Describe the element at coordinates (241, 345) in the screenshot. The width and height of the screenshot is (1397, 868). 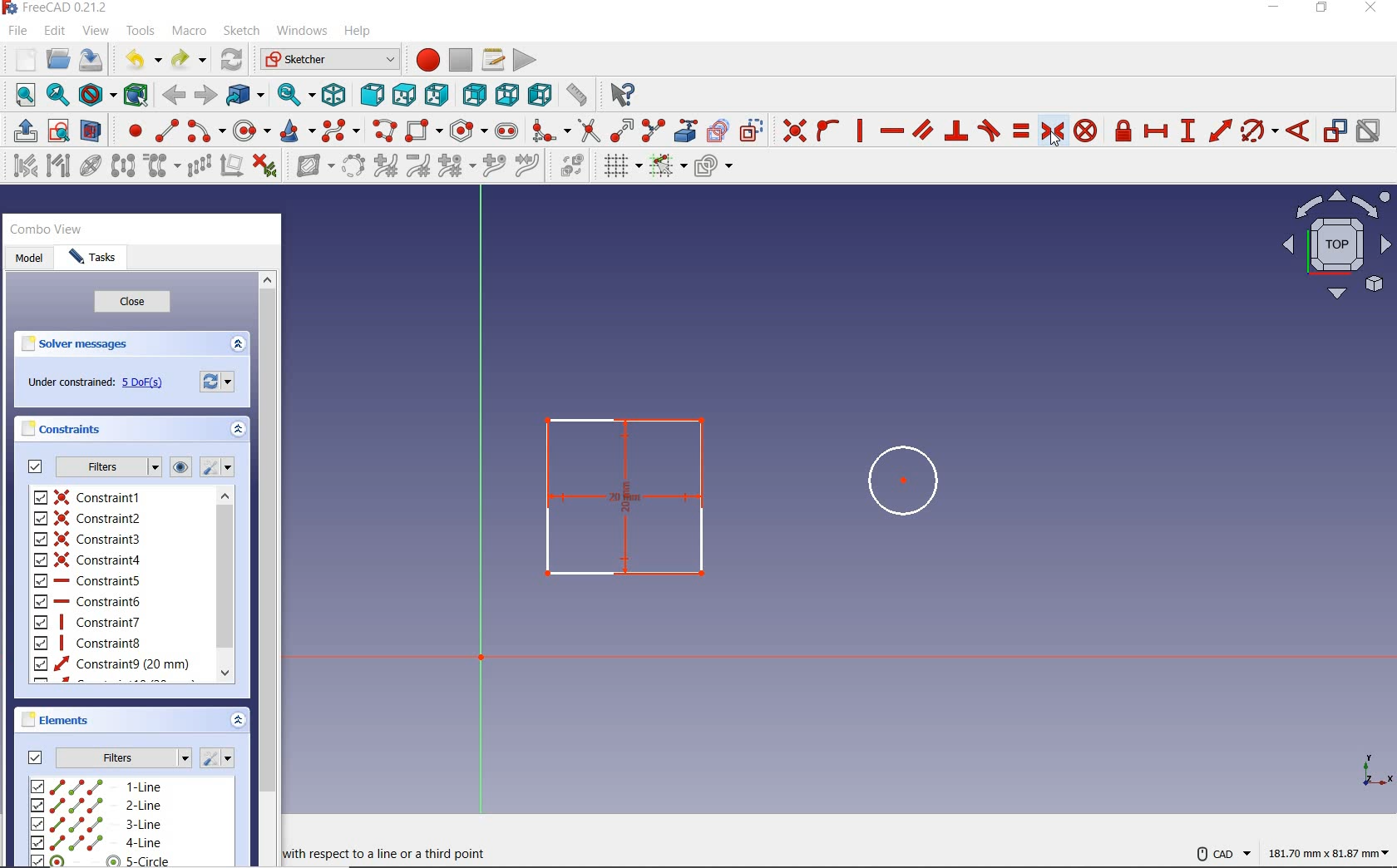
I see `expand` at that location.